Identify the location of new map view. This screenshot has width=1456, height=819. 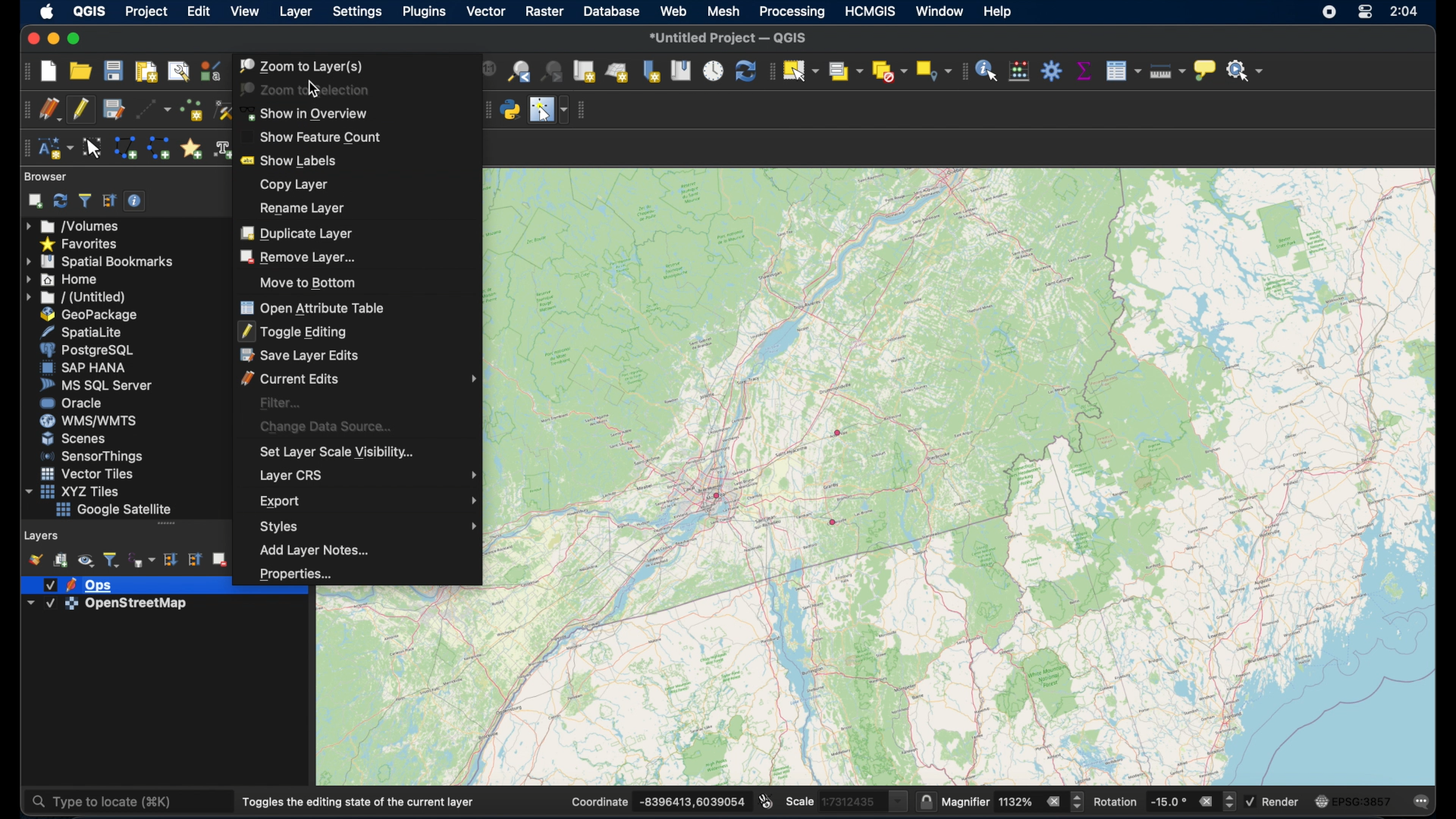
(583, 71).